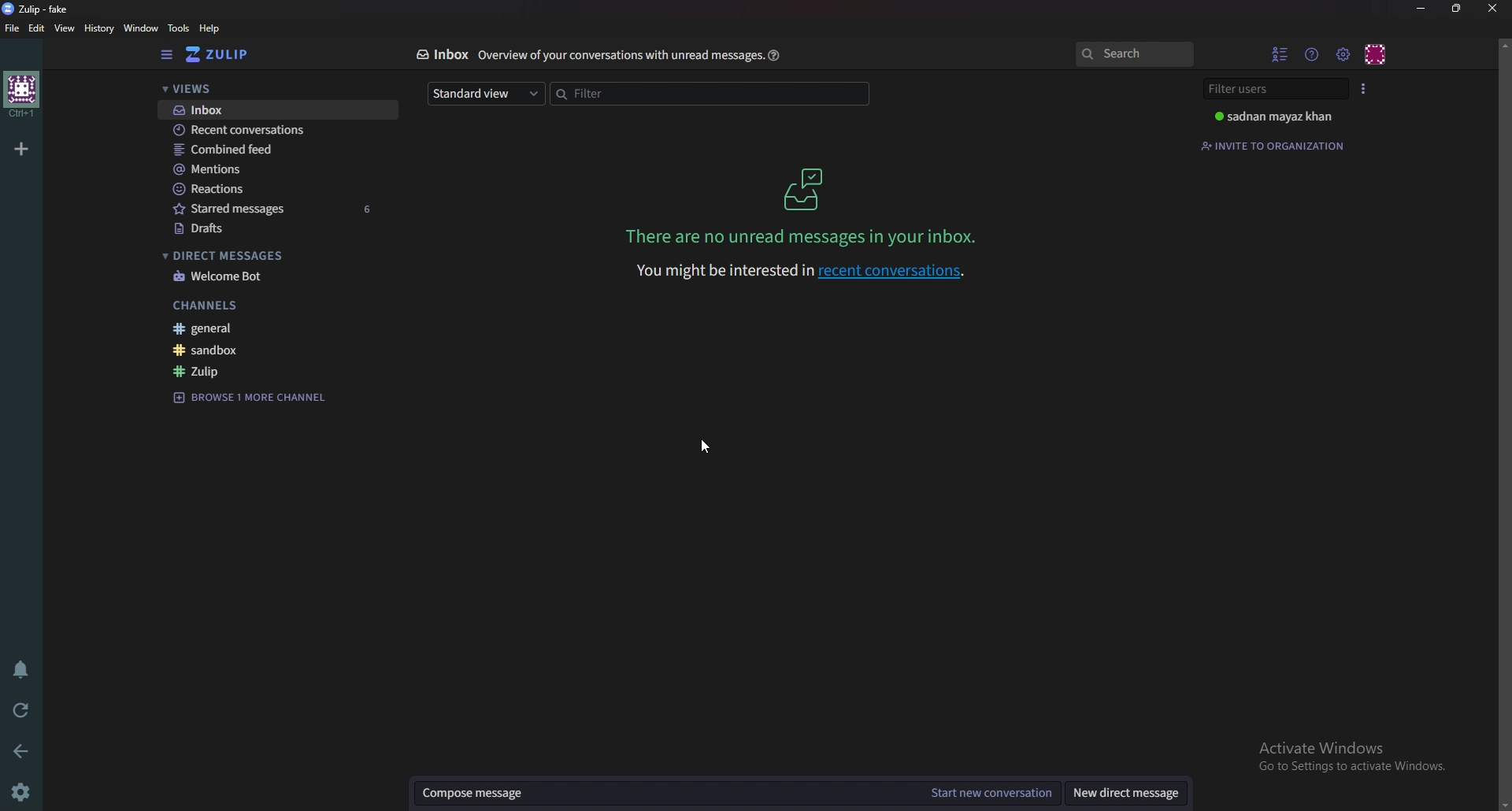 The height and width of the screenshot is (811, 1512). I want to click on New direct message, so click(1126, 795).